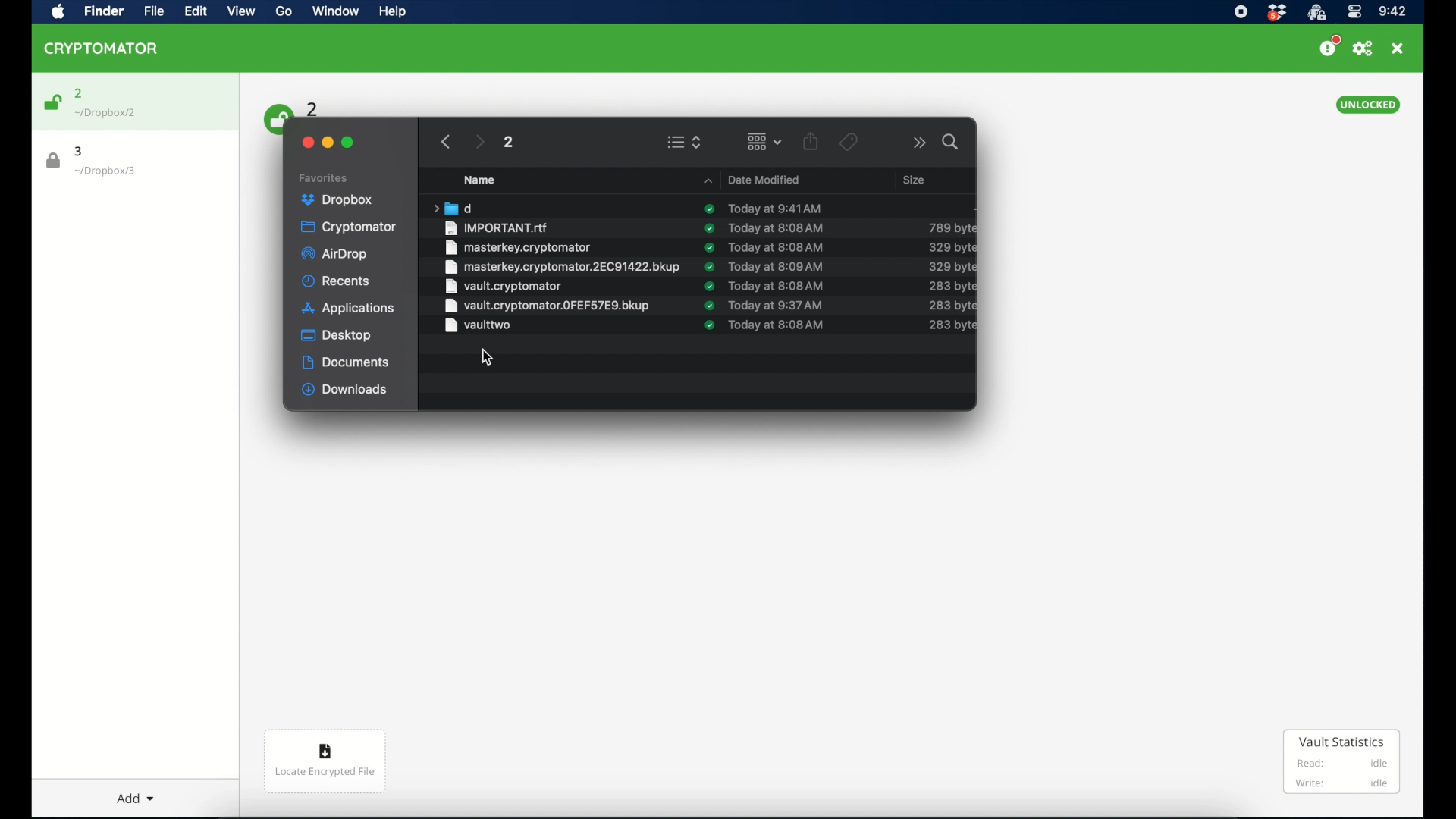  I want to click on 3, so click(80, 151).